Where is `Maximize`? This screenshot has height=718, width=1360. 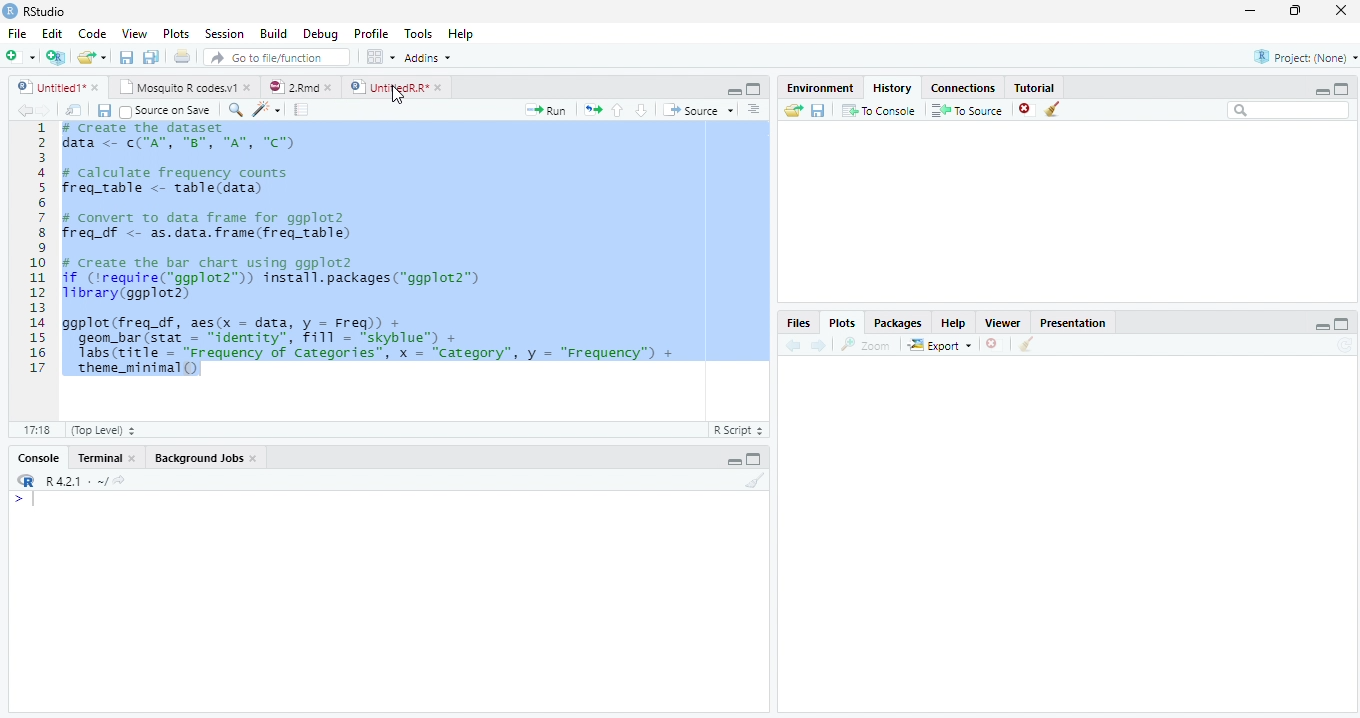 Maximize is located at coordinates (756, 461).